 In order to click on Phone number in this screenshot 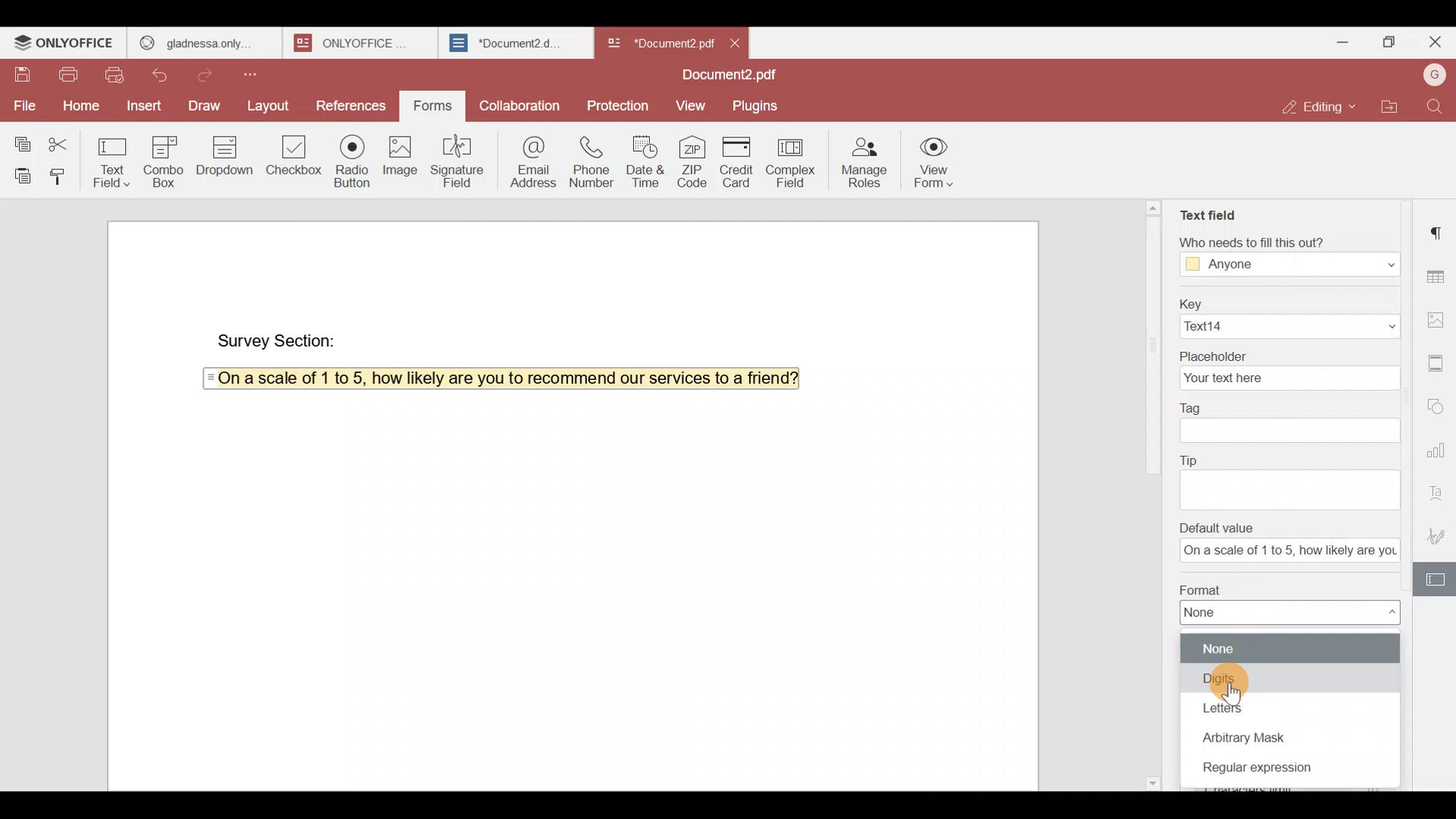, I will do `click(593, 161)`.